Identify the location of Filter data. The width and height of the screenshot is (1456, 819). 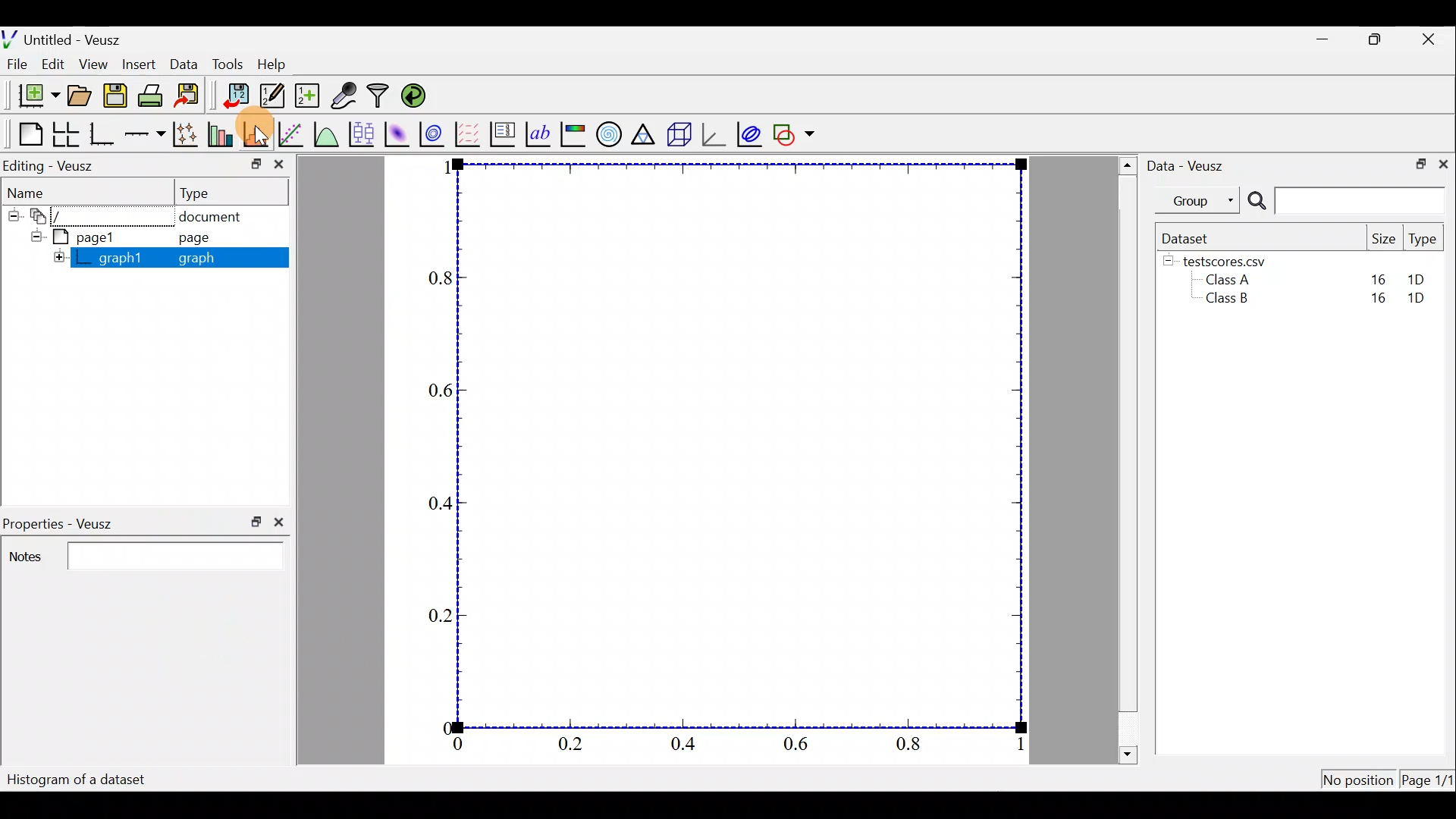
(379, 96).